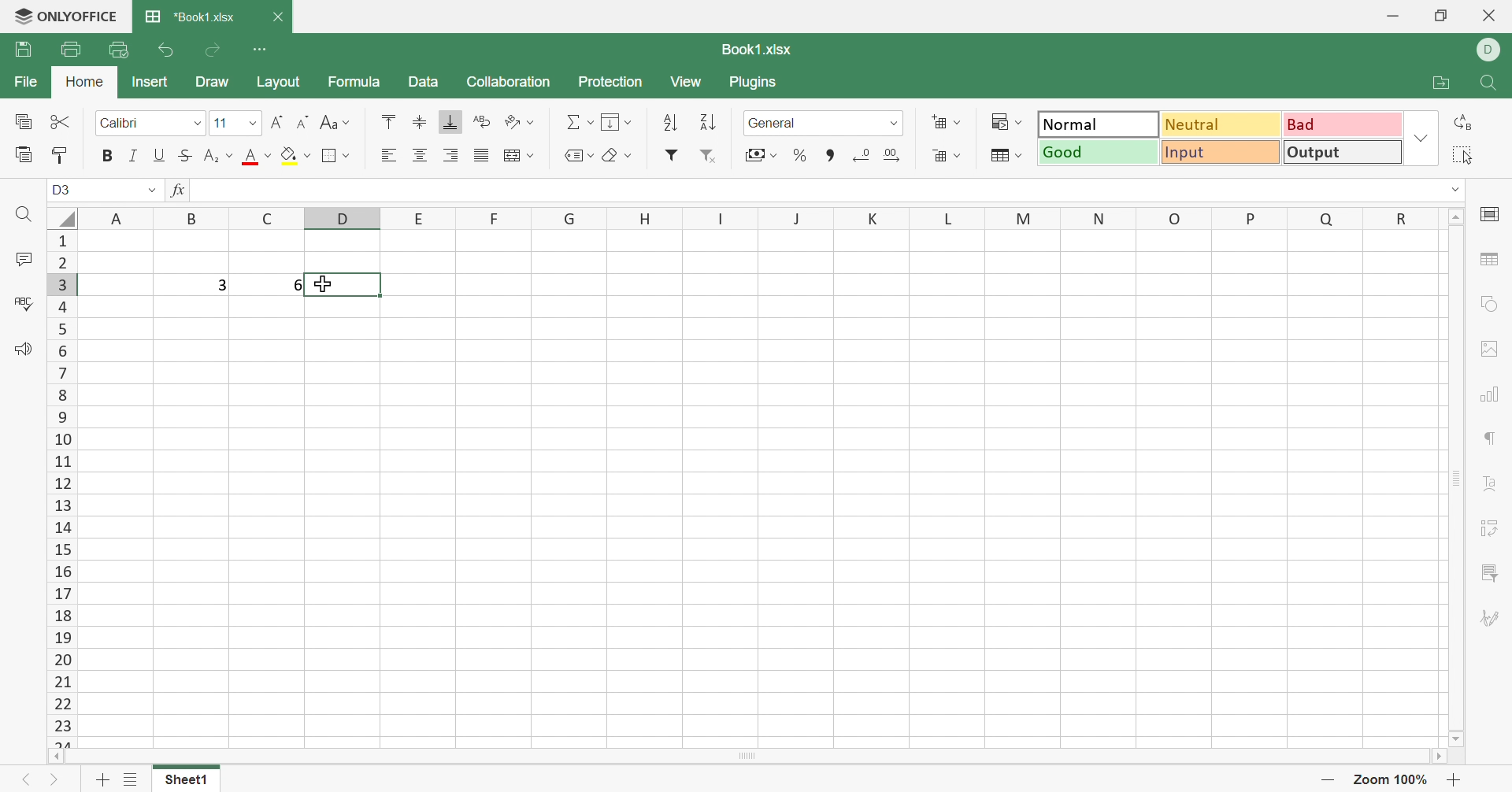  I want to click on Cut, so click(60, 121).